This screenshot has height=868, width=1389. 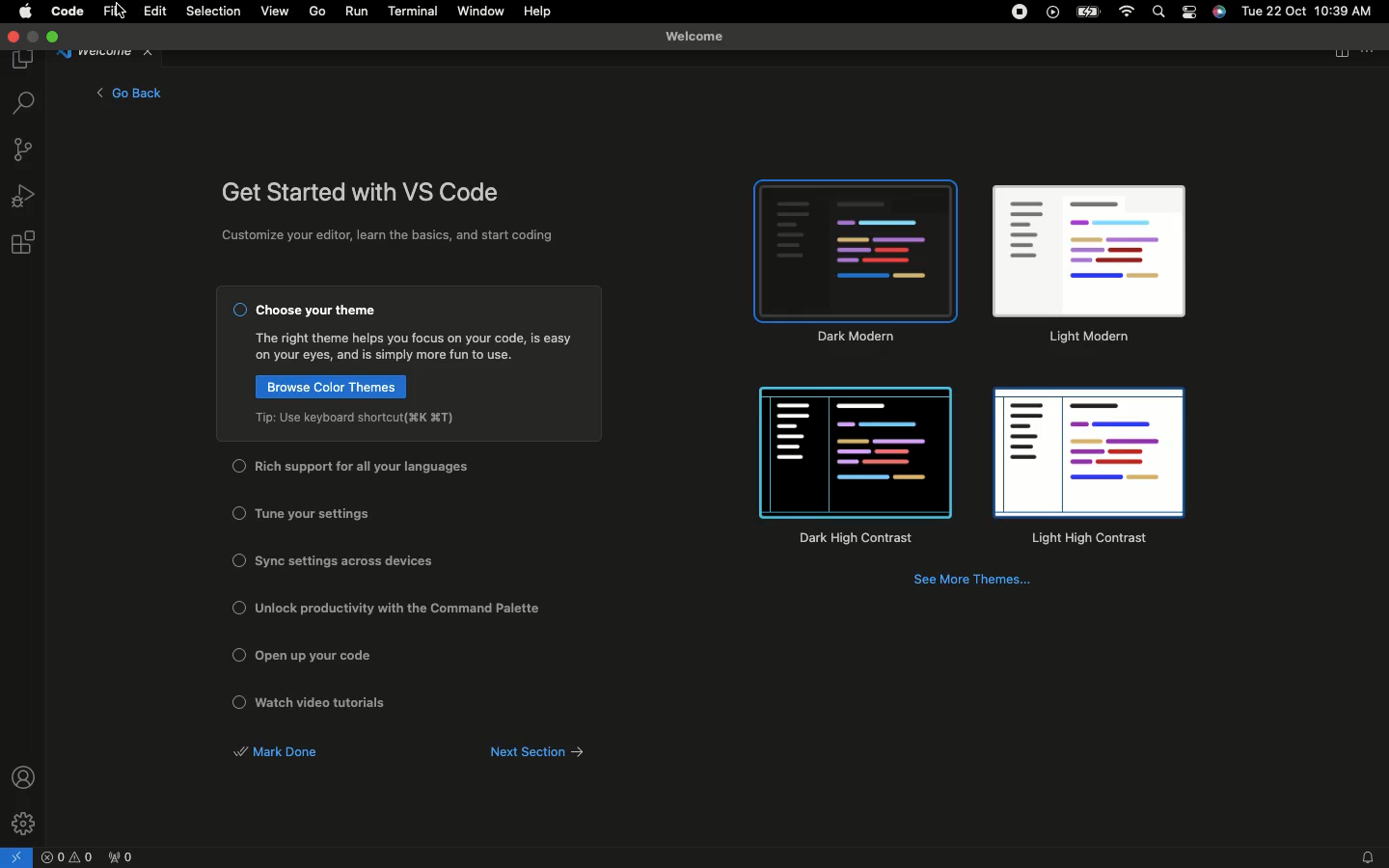 I want to click on Voice control, so click(x=1219, y=12).